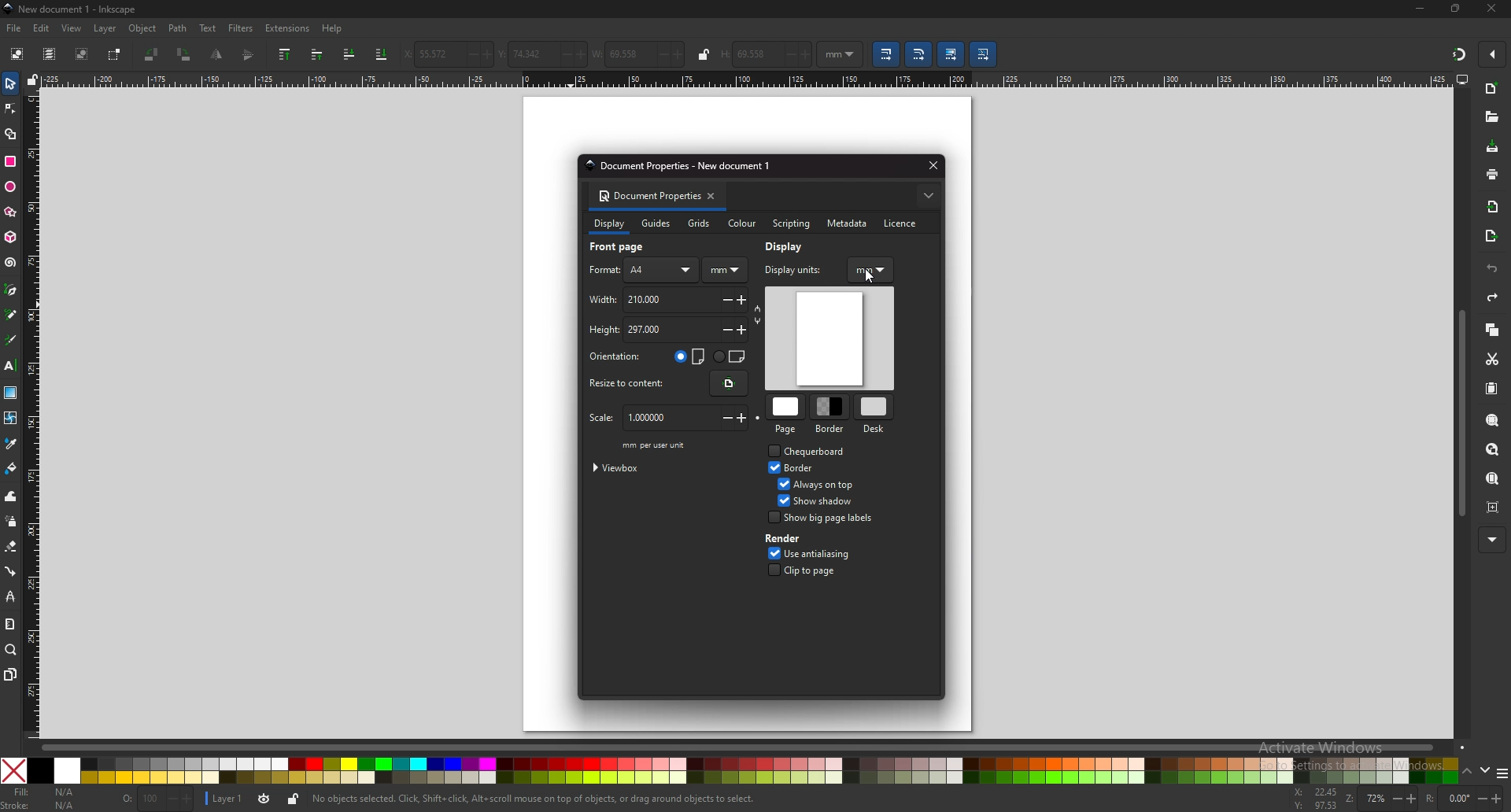  I want to click on up, so click(1467, 770).